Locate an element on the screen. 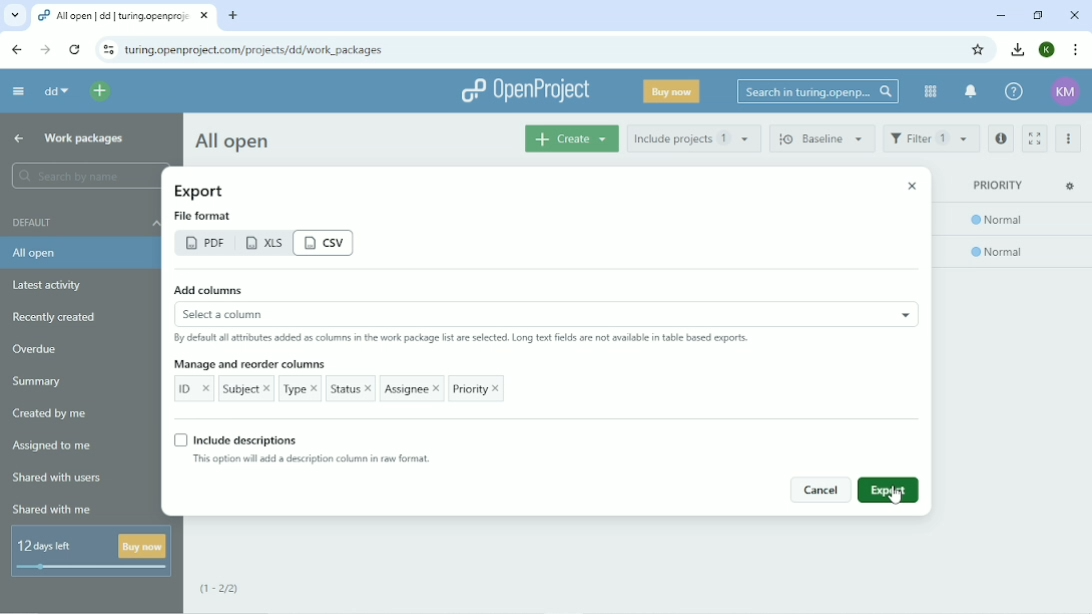 The width and height of the screenshot is (1092, 614). Create is located at coordinates (572, 138).